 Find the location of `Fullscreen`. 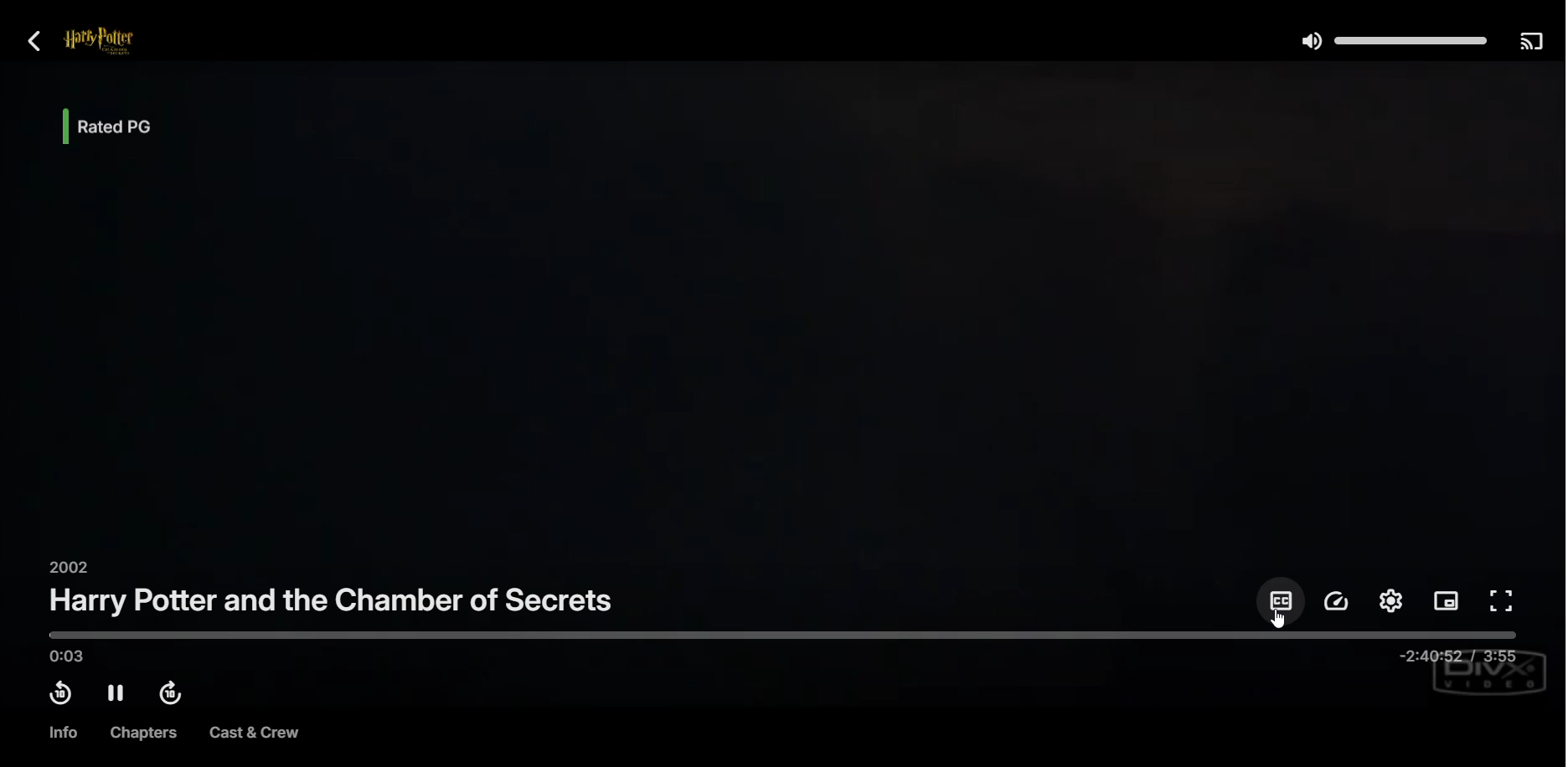

Fullscreen is located at coordinates (1504, 602).